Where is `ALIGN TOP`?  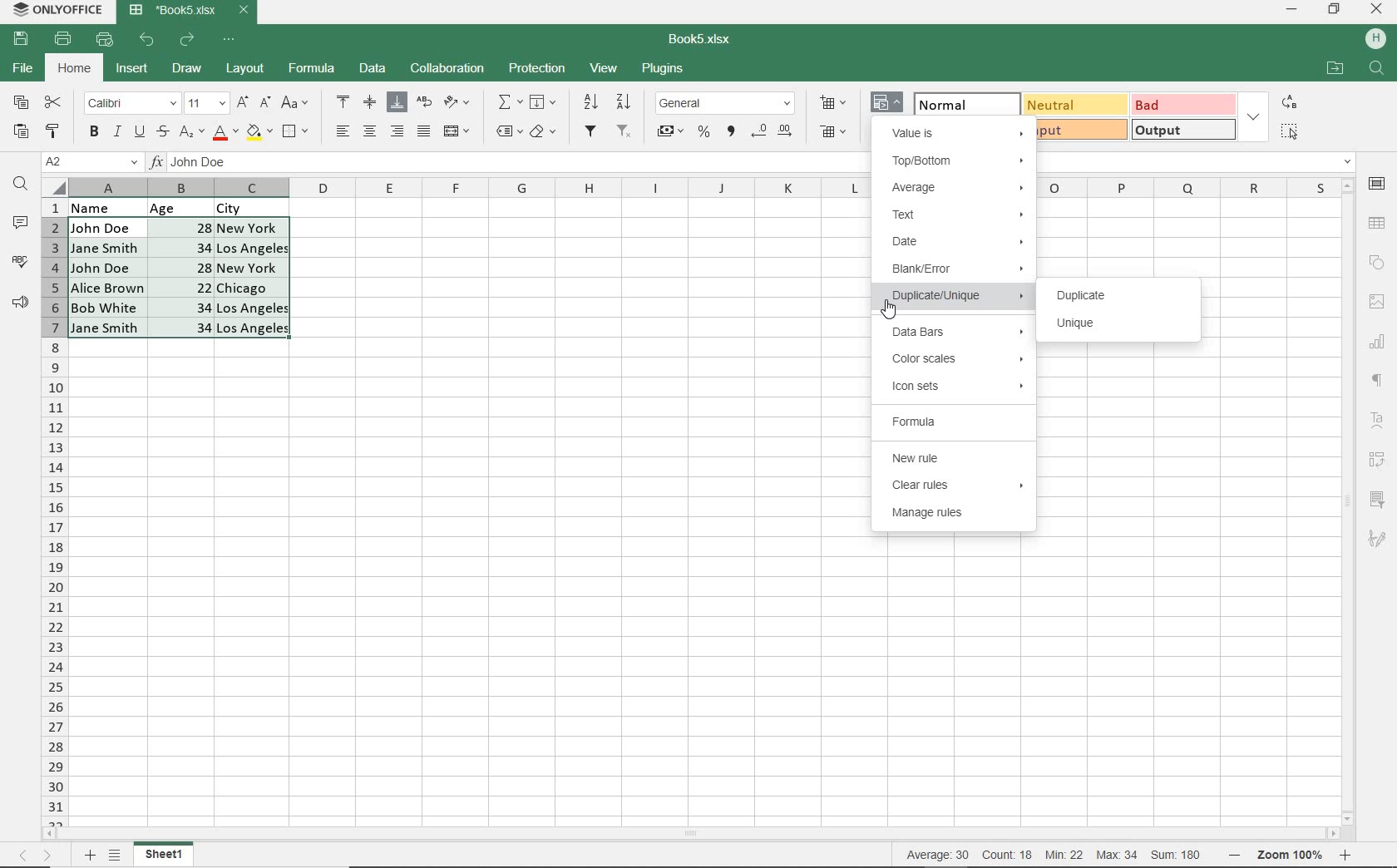
ALIGN TOP is located at coordinates (344, 101).